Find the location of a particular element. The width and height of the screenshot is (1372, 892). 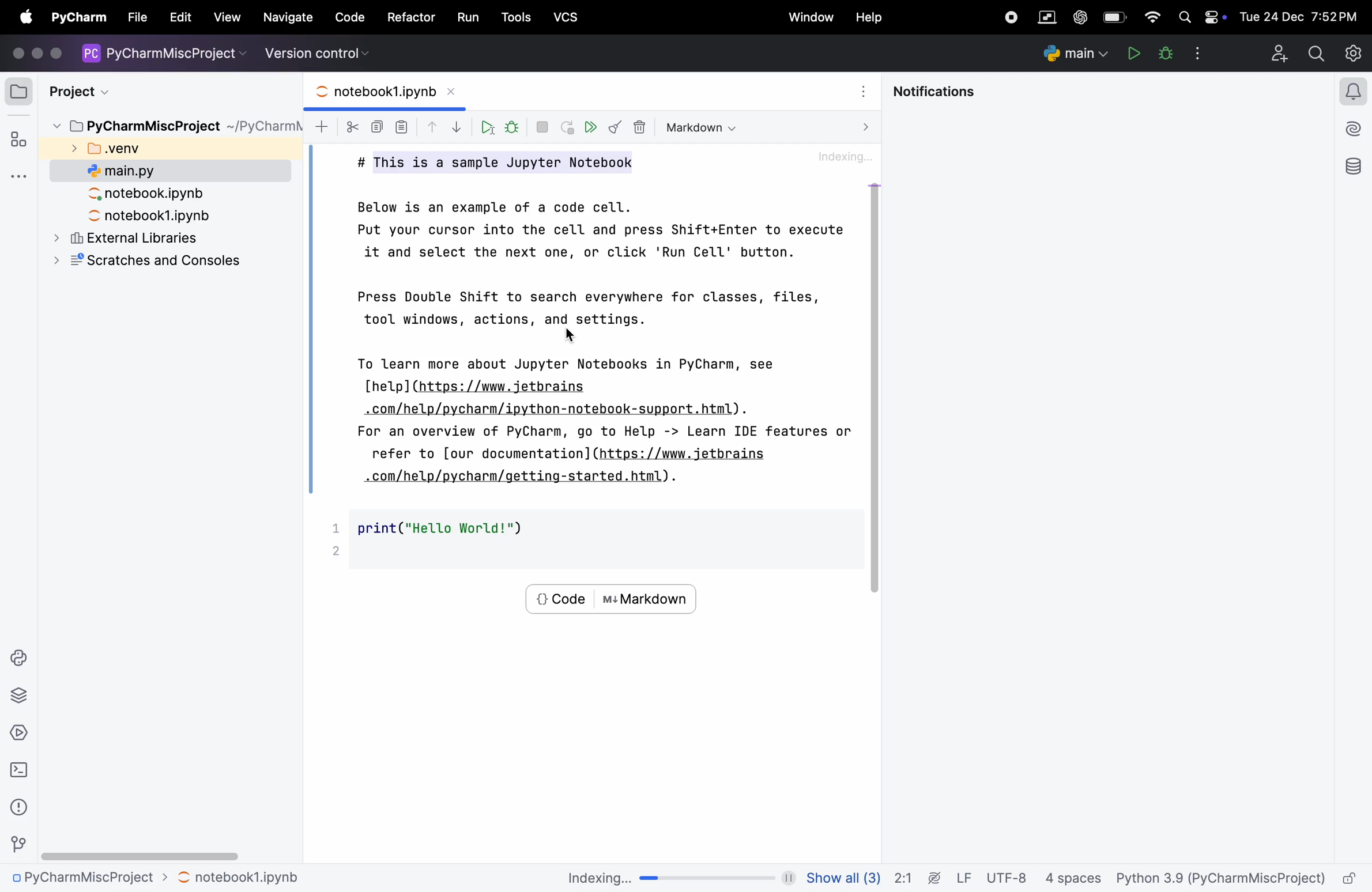

markdown is located at coordinates (652, 598).